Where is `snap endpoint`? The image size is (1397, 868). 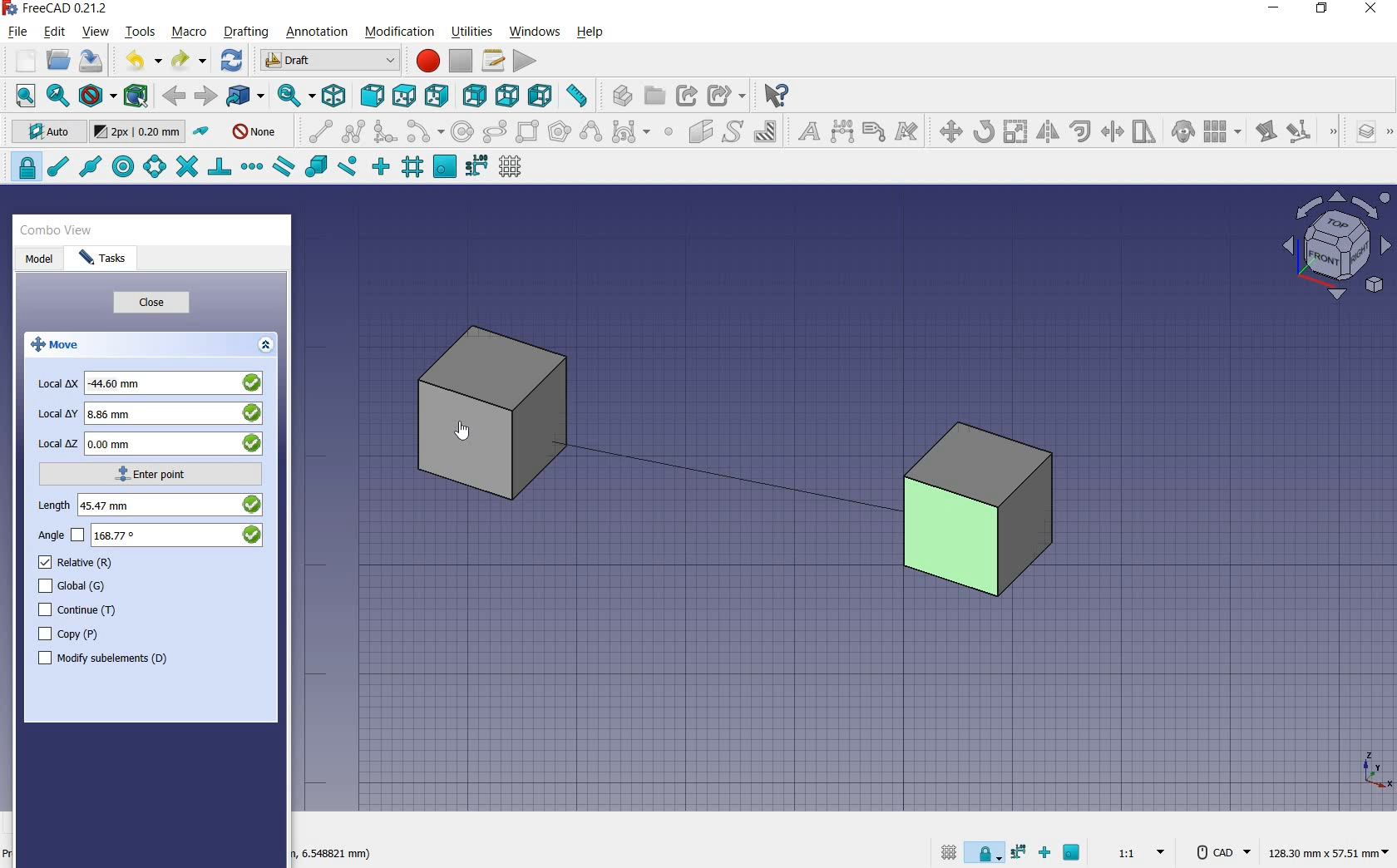 snap endpoint is located at coordinates (59, 167).